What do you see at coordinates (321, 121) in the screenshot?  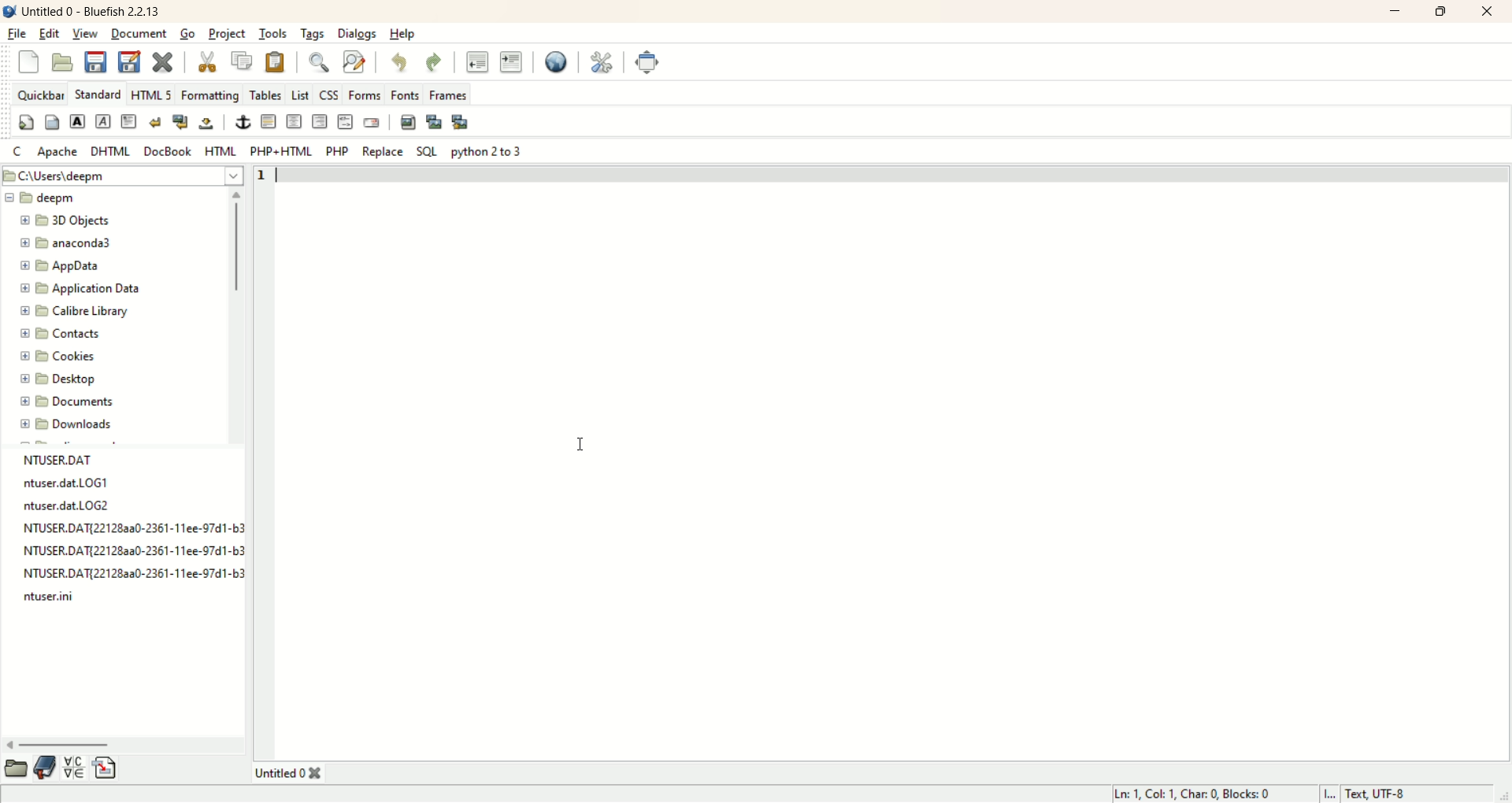 I see `right justify` at bounding box center [321, 121].